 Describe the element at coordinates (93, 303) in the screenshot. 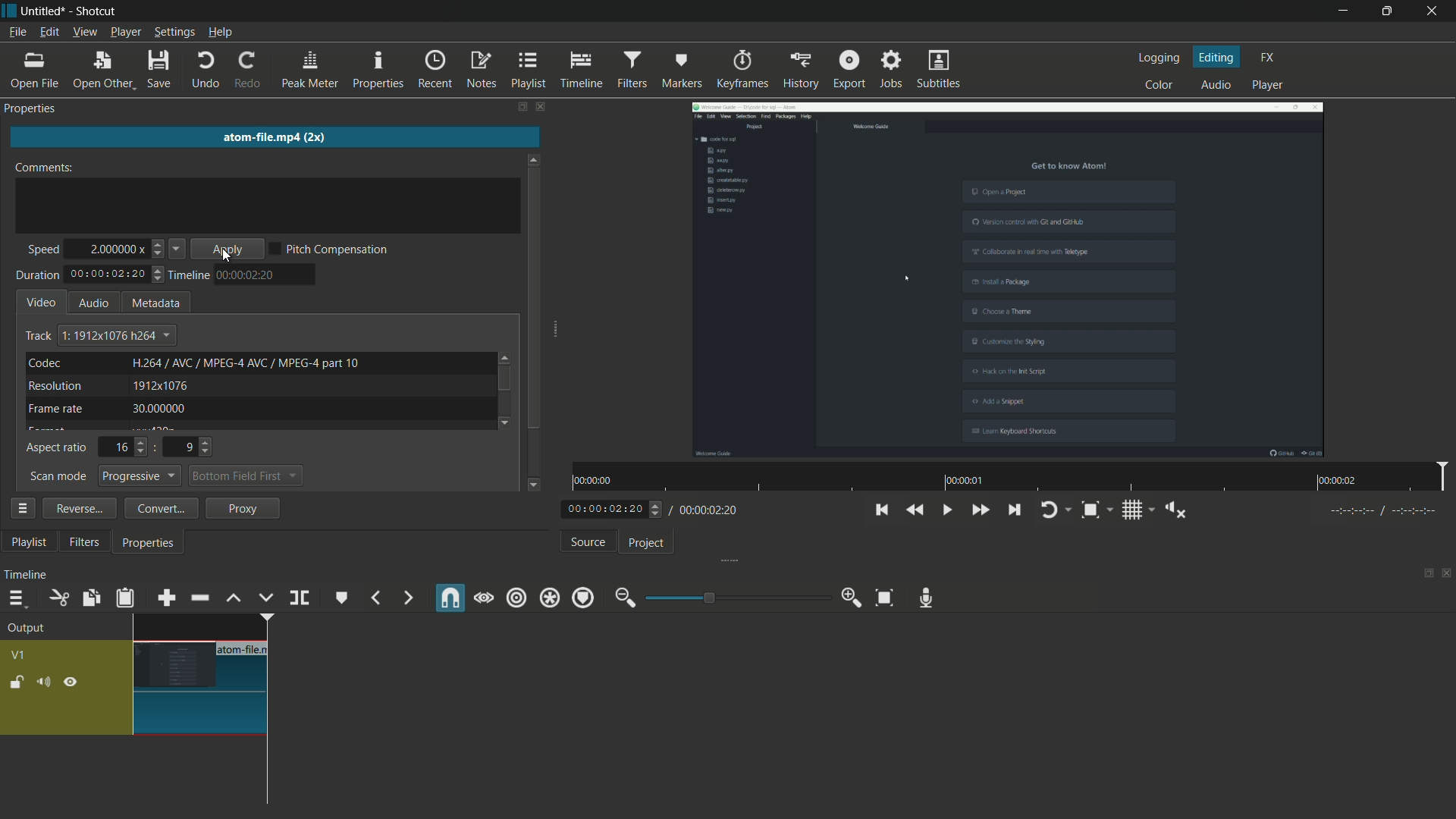

I see `audio` at that location.